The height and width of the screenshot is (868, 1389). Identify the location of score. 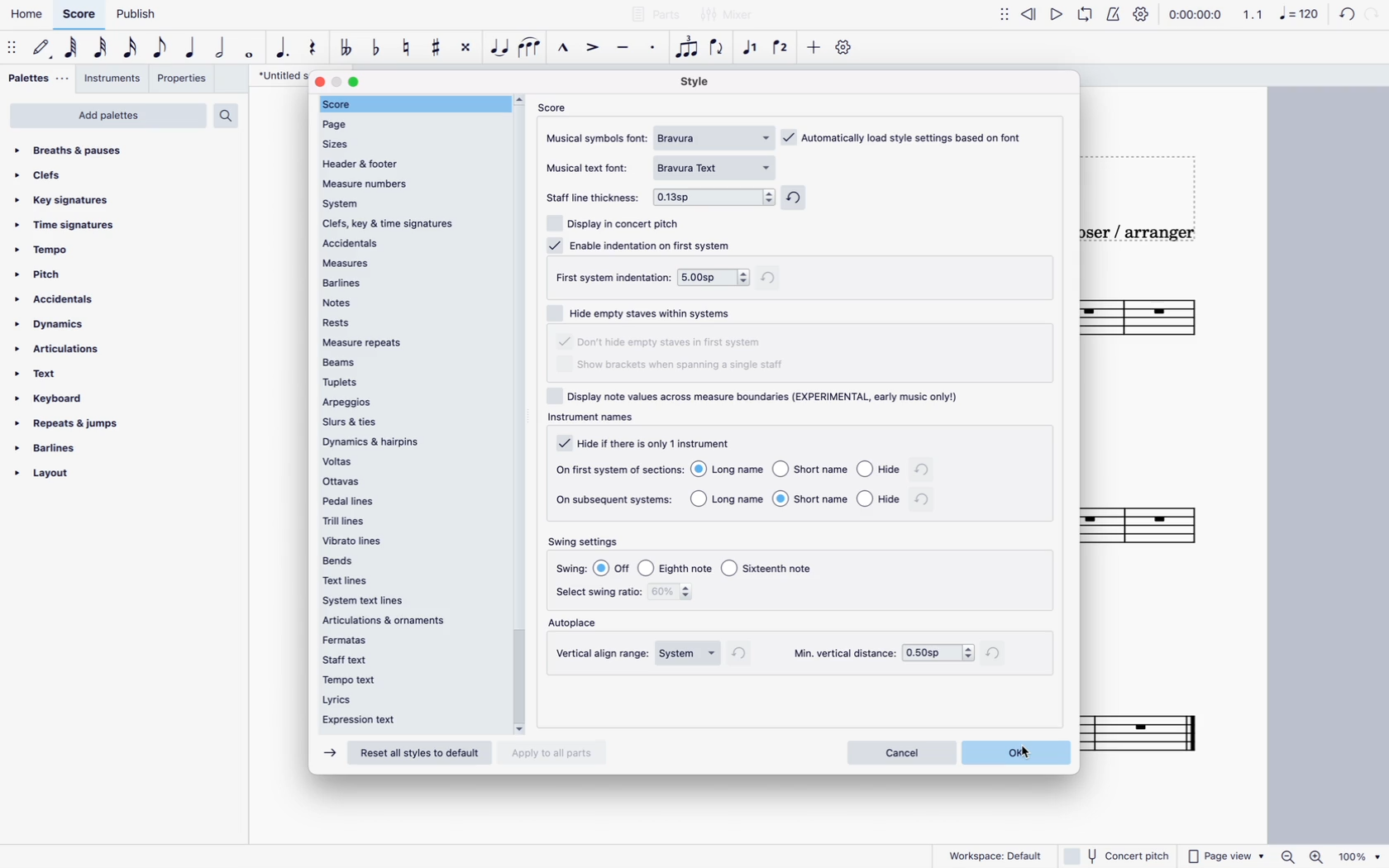
(1148, 525).